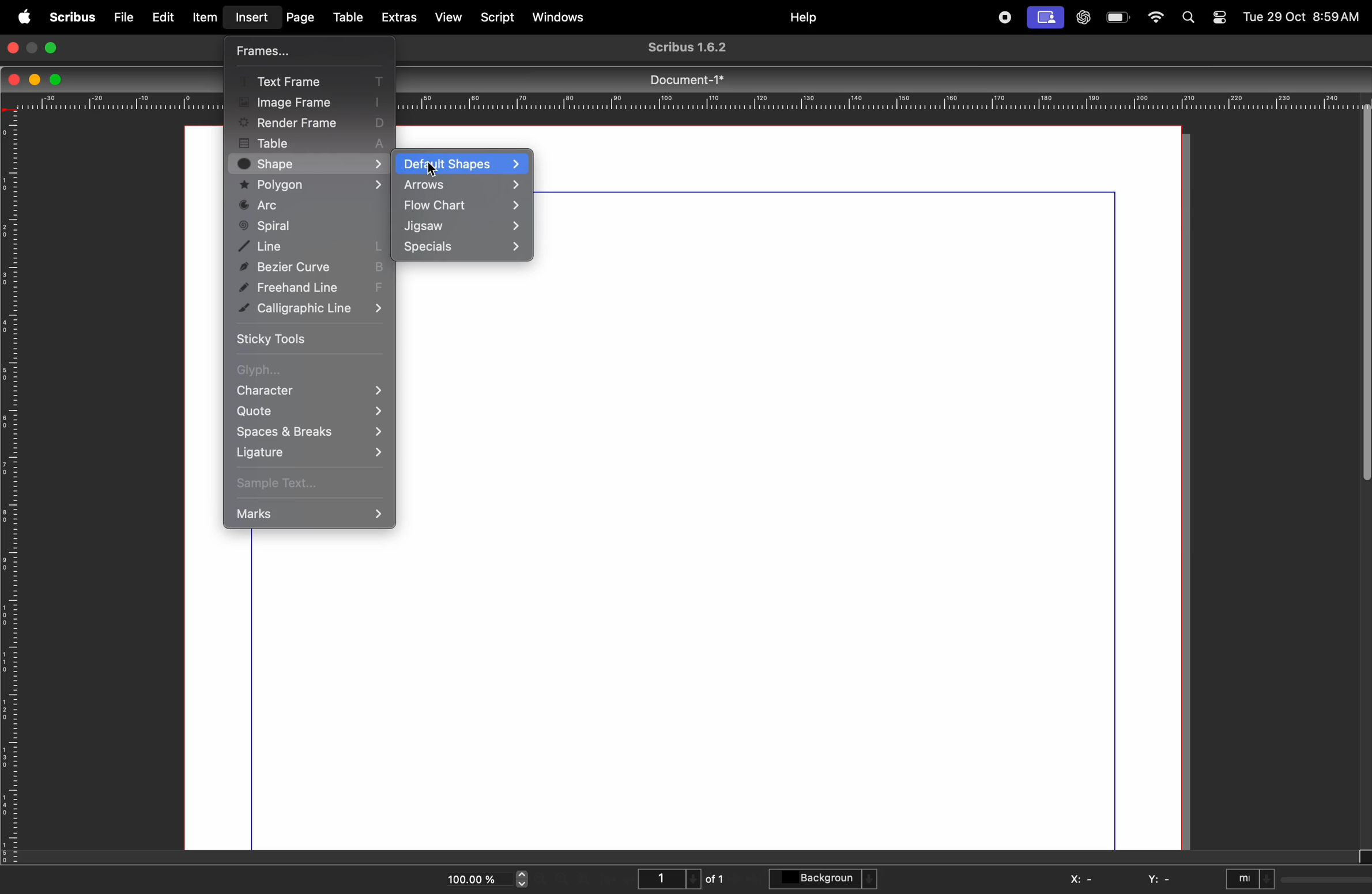  What do you see at coordinates (1004, 17) in the screenshot?
I see `record` at bounding box center [1004, 17].